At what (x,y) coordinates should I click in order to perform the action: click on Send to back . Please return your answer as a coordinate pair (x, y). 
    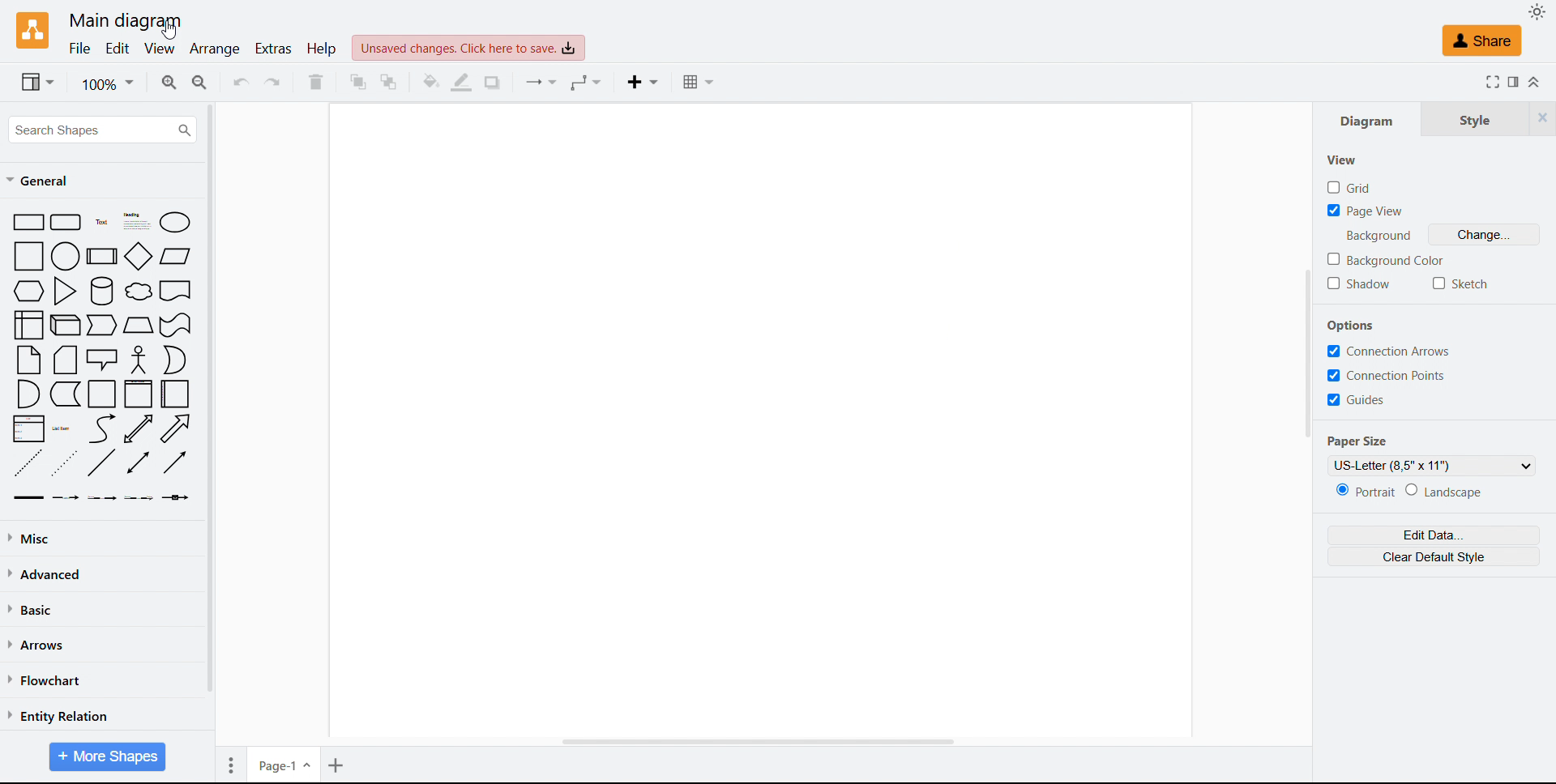
    Looking at the image, I should click on (391, 83).